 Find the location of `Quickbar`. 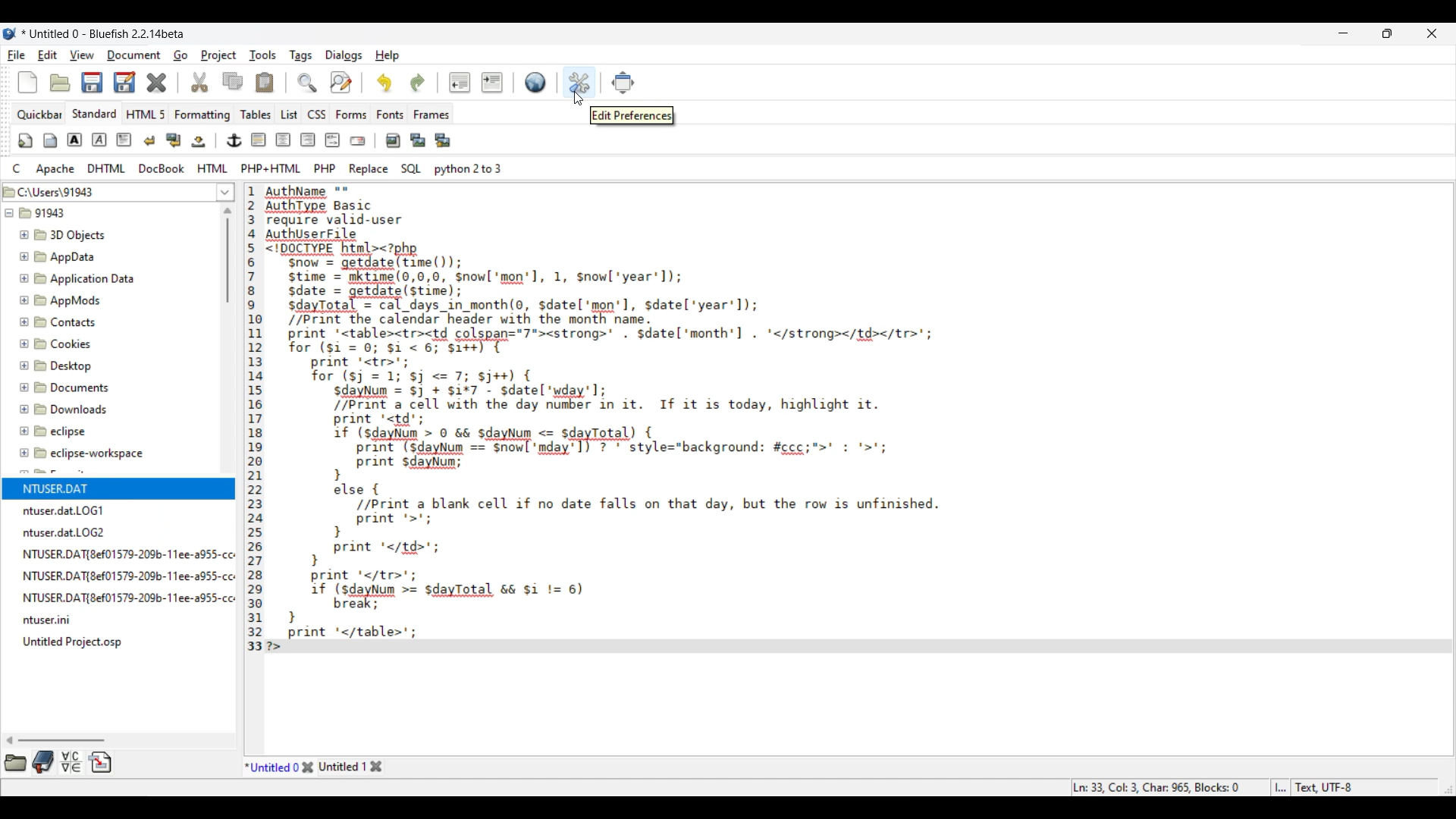

Quickbar is located at coordinates (39, 115).